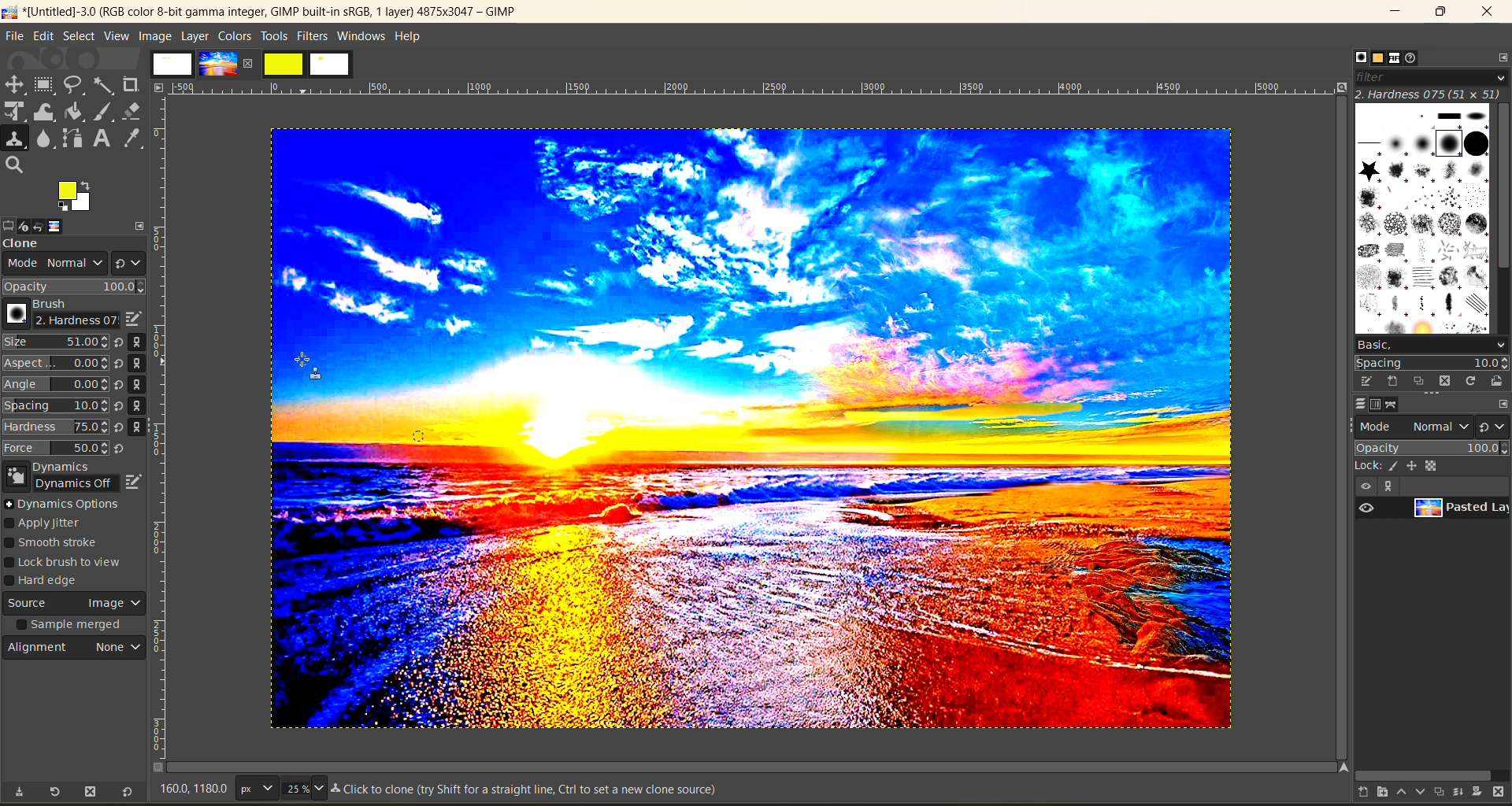  I want to click on dynamics options, so click(67, 504).